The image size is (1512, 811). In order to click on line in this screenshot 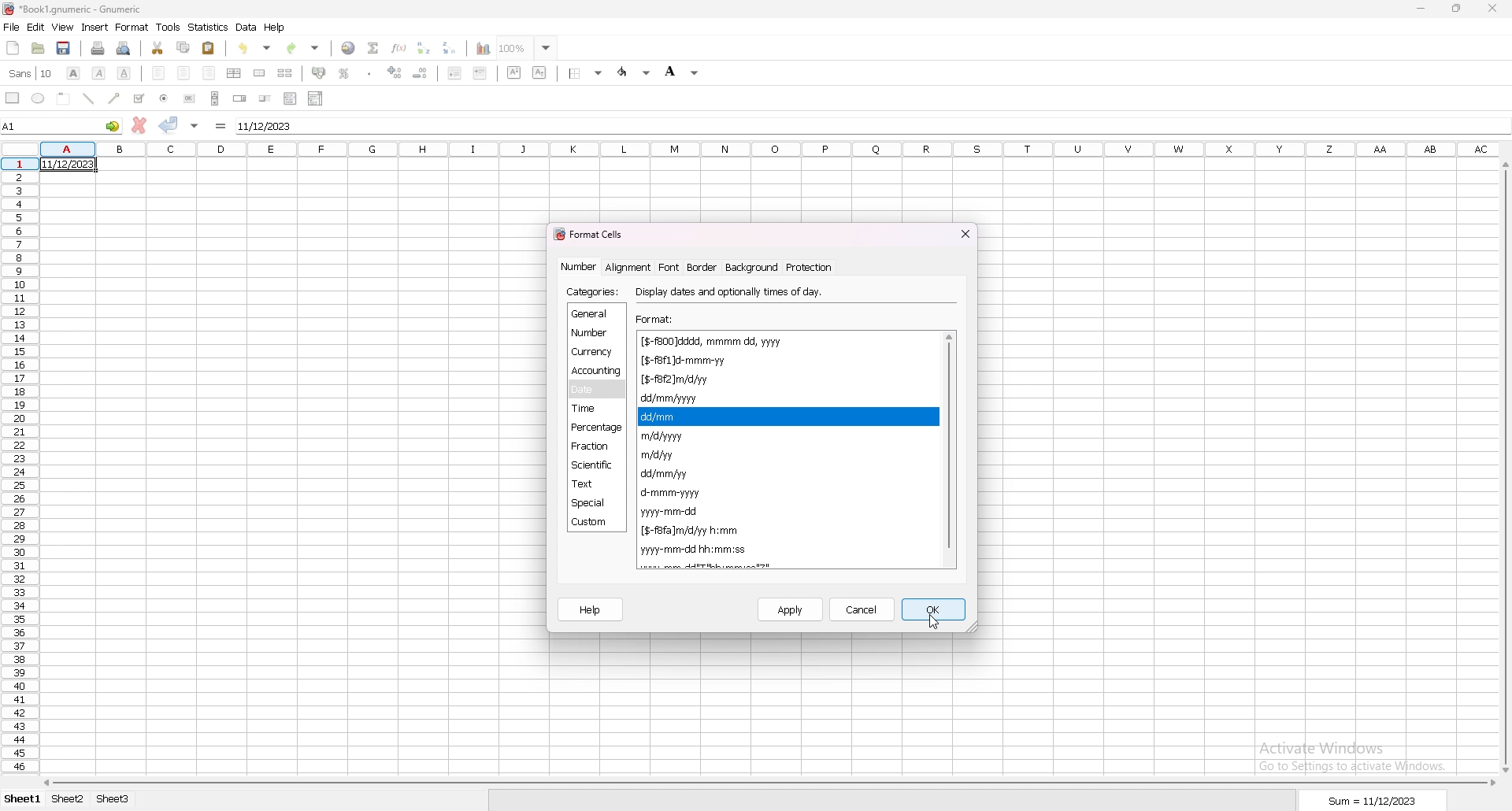, I will do `click(87, 98)`.